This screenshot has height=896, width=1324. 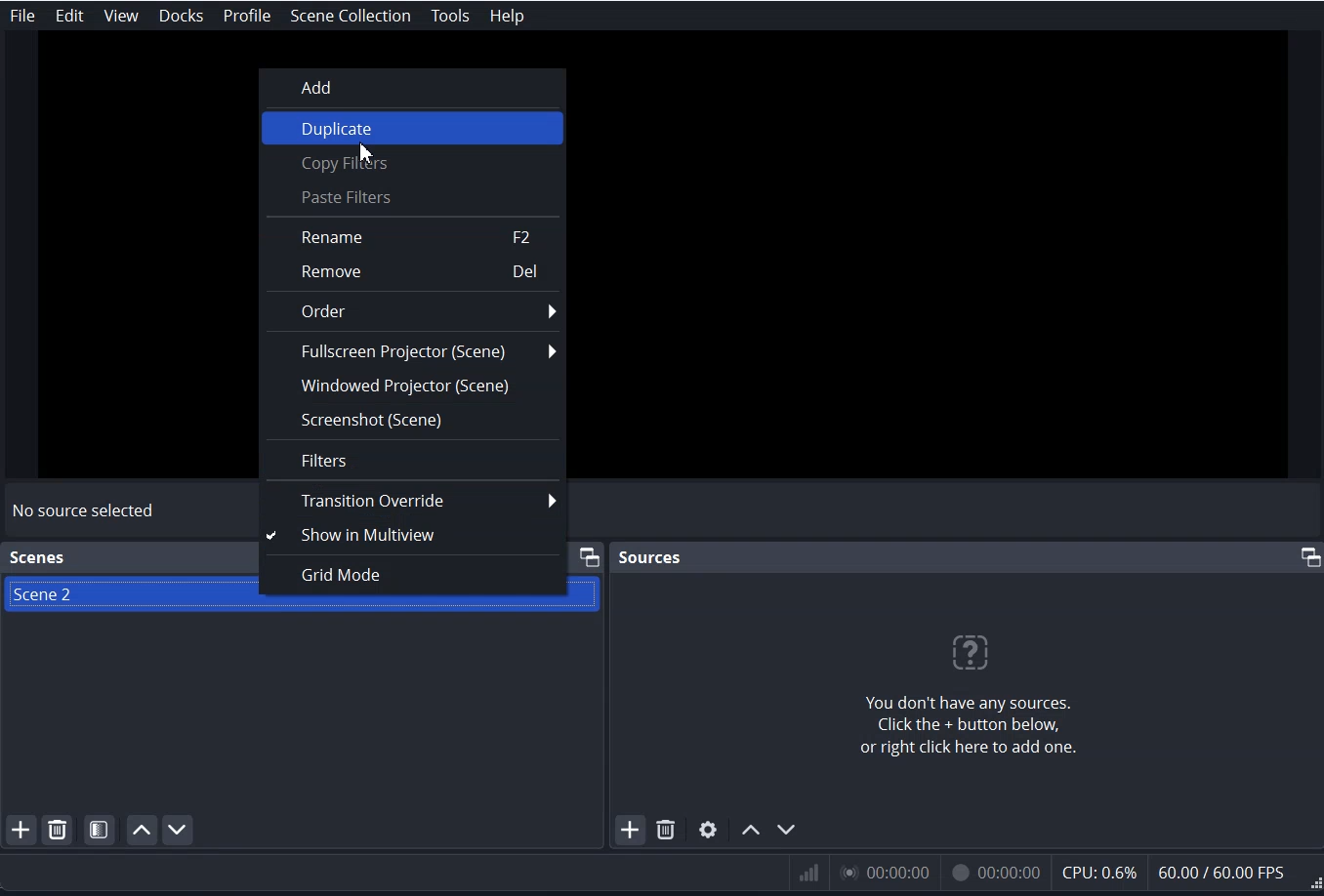 What do you see at coordinates (413, 421) in the screenshot?
I see `Screenshots` at bounding box center [413, 421].